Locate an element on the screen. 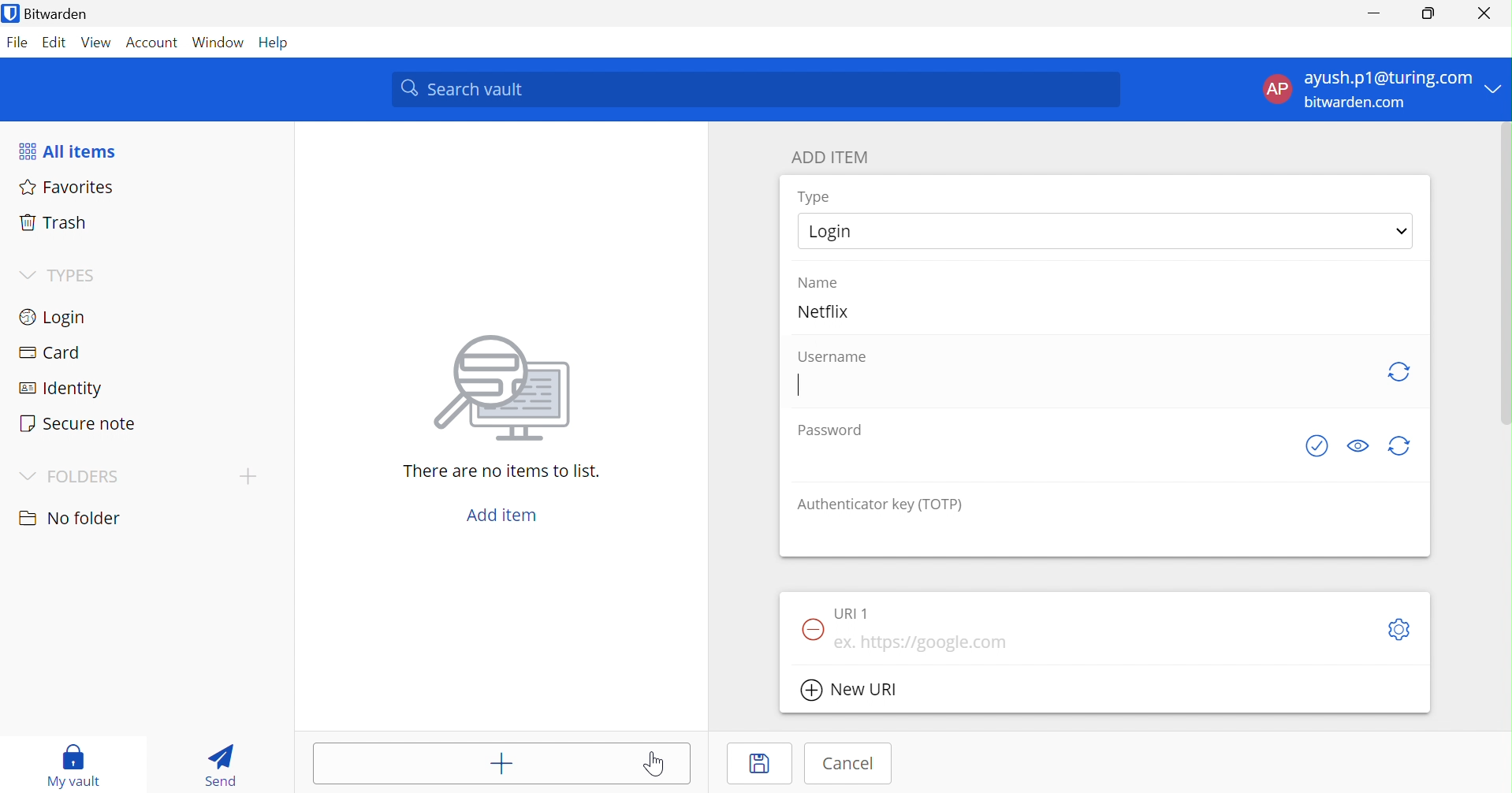  Minimize is located at coordinates (1379, 14).